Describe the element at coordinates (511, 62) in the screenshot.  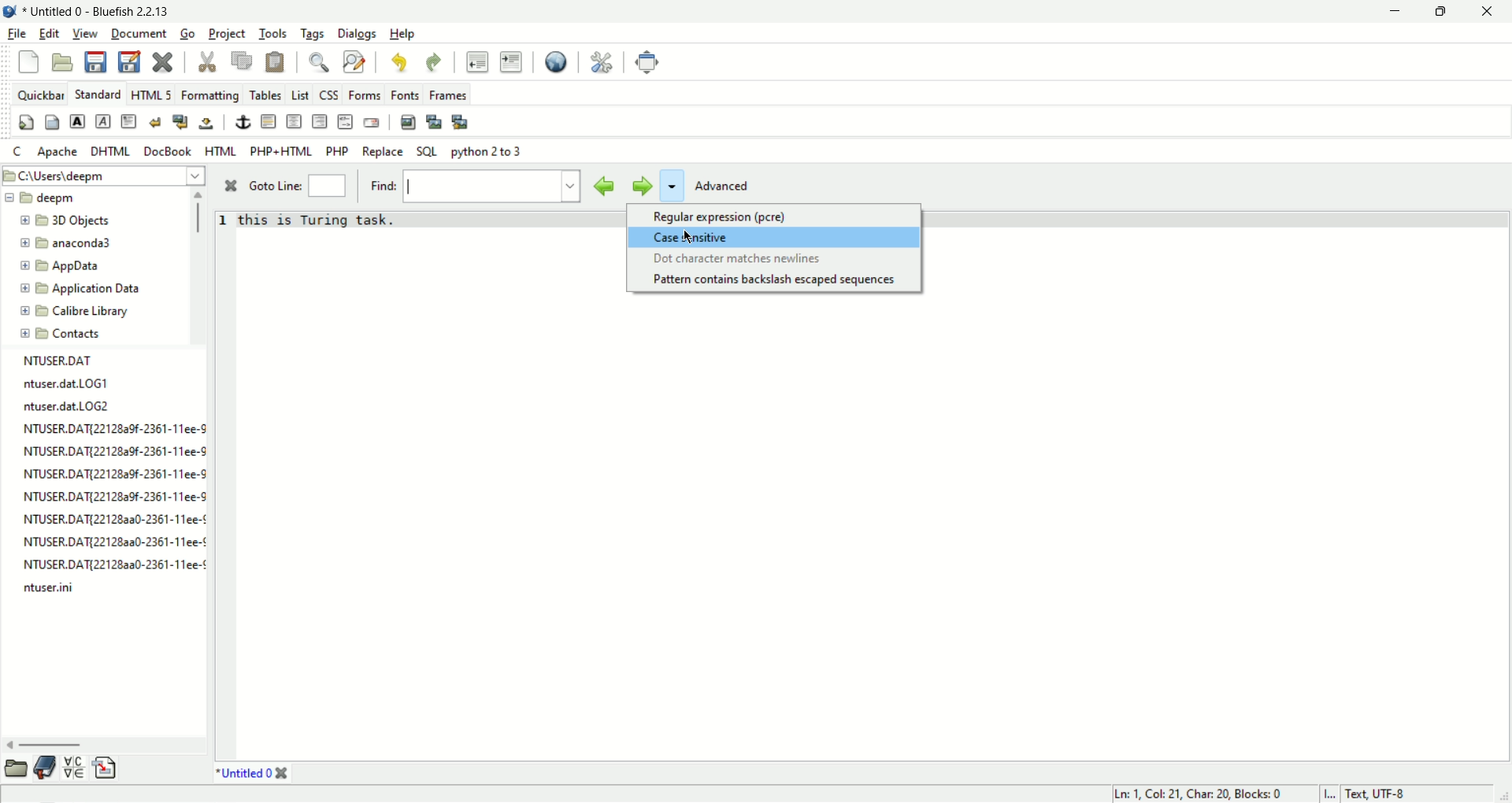
I see `indent` at that location.